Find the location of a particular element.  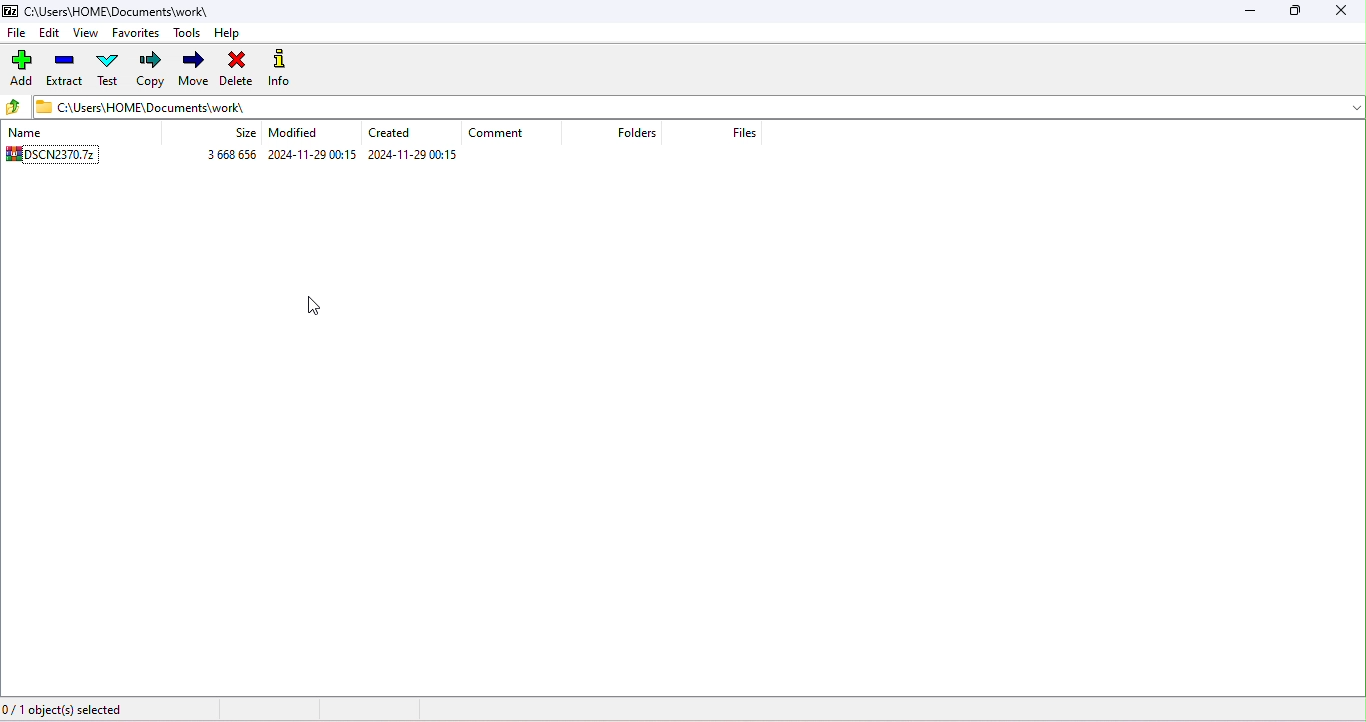

c\users\home\document\work\ is located at coordinates (126, 11).